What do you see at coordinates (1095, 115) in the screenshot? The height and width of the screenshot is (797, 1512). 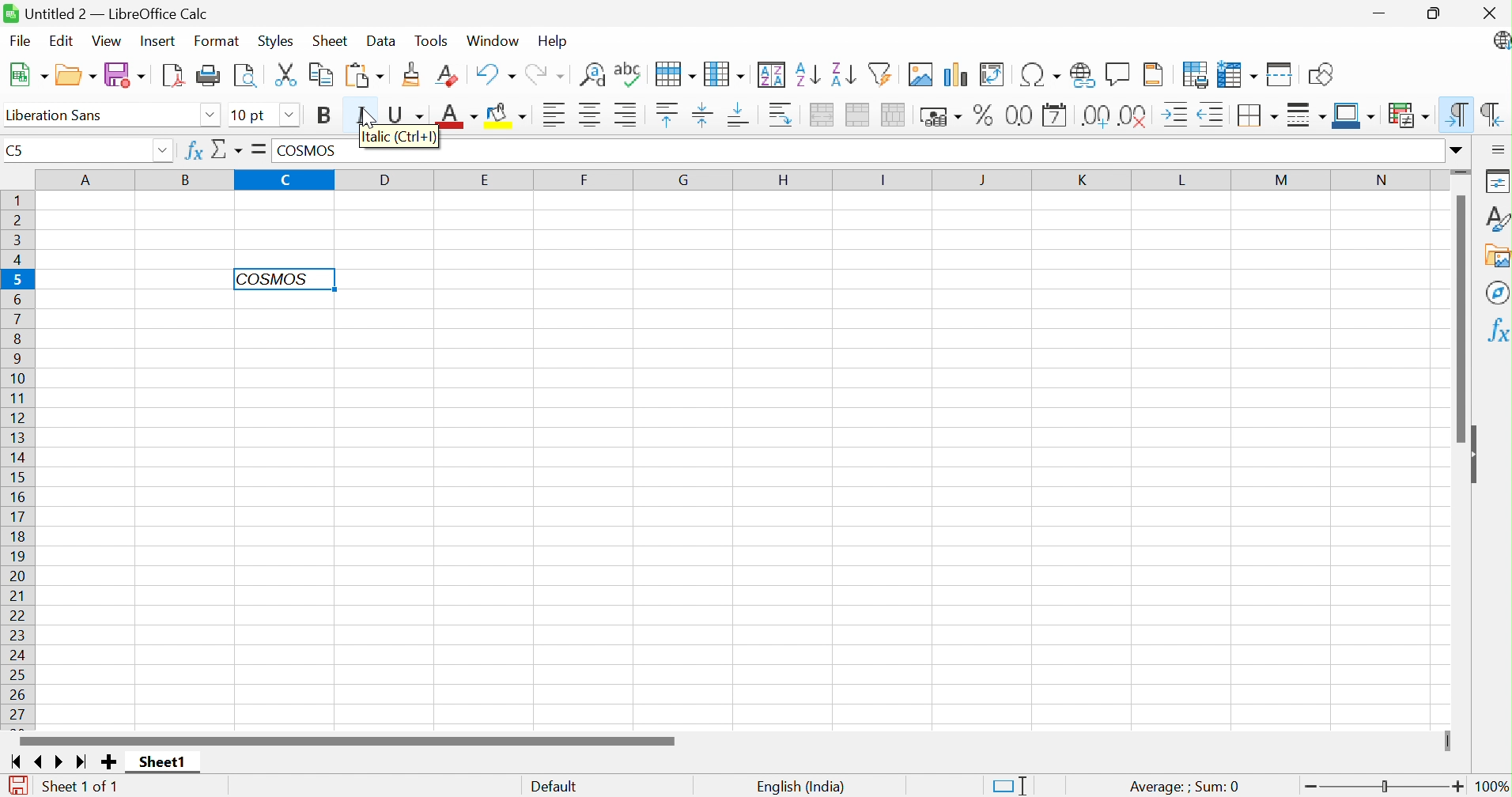 I see `Add decimal place` at bounding box center [1095, 115].